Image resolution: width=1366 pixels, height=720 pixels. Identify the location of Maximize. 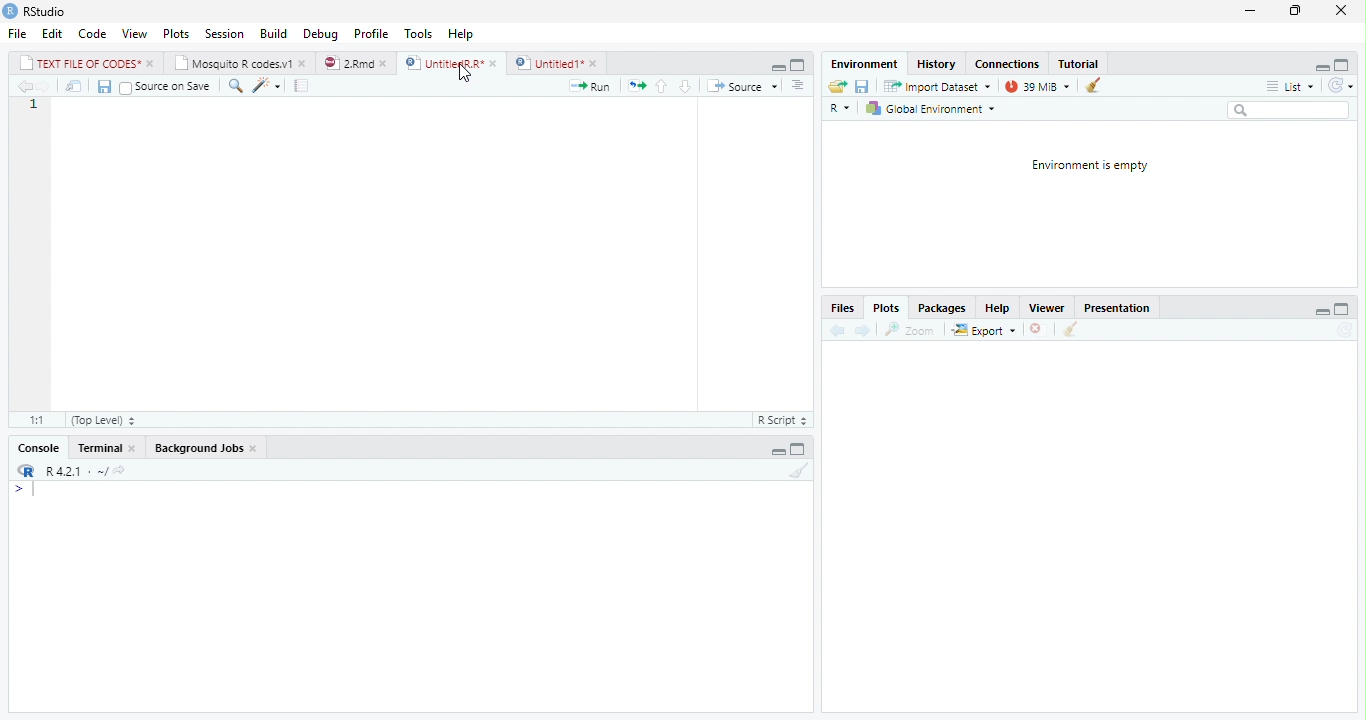
(797, 63).